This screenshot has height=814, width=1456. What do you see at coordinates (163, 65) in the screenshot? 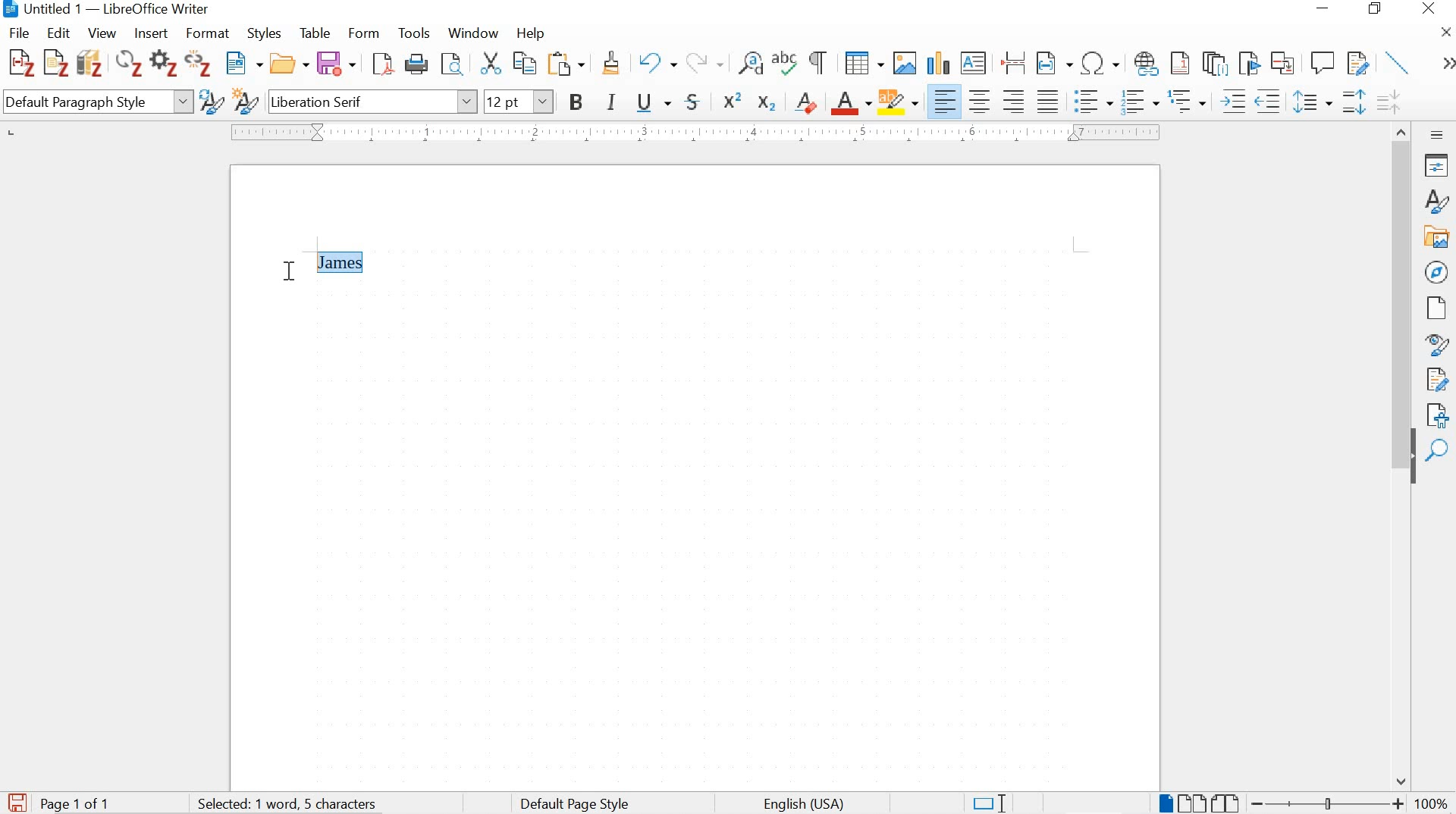
I see `set document preferences` at bounding box center [163, 65].